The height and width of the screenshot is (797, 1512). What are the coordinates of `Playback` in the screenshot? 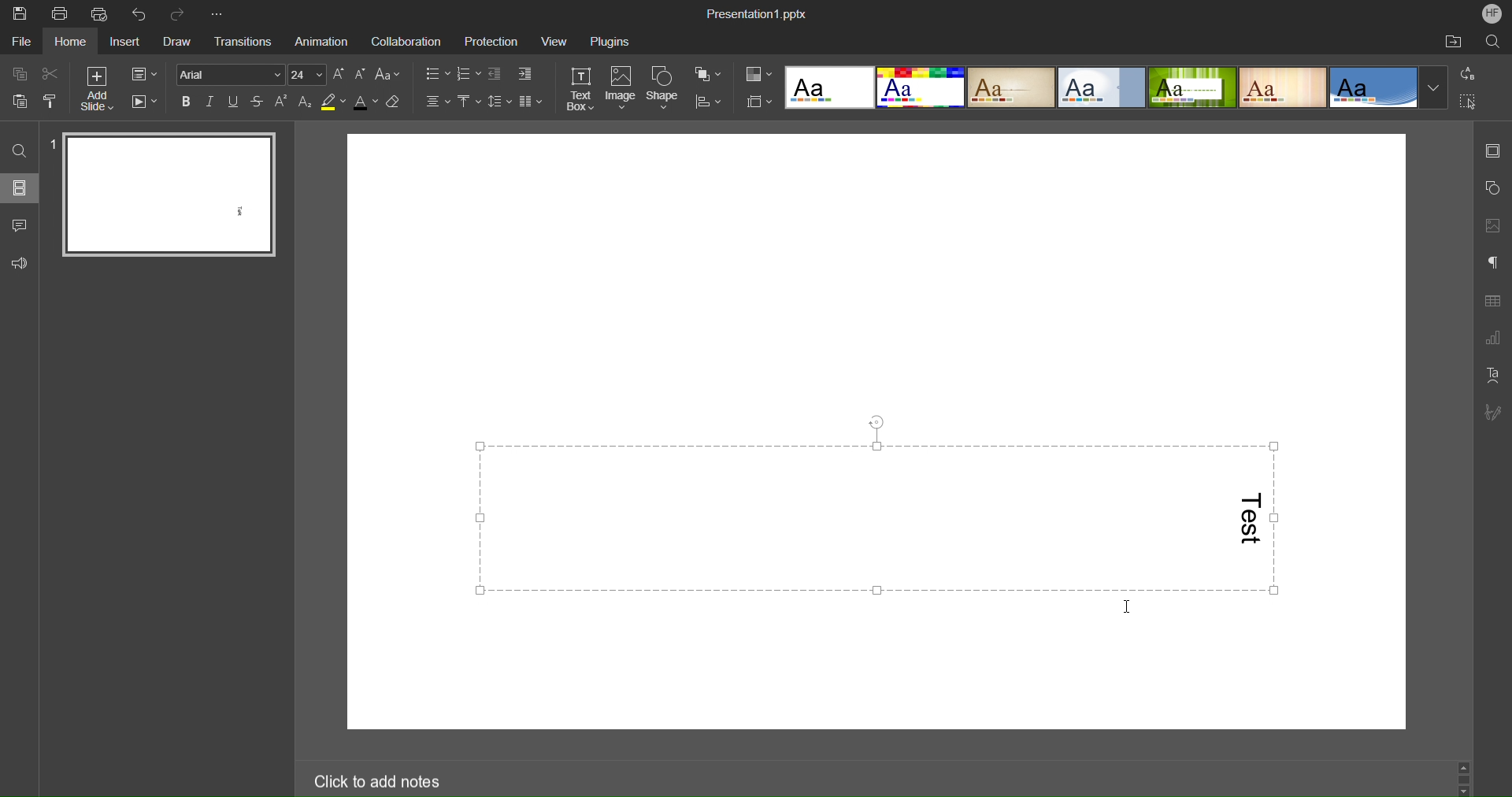 It's located at (146, 102).